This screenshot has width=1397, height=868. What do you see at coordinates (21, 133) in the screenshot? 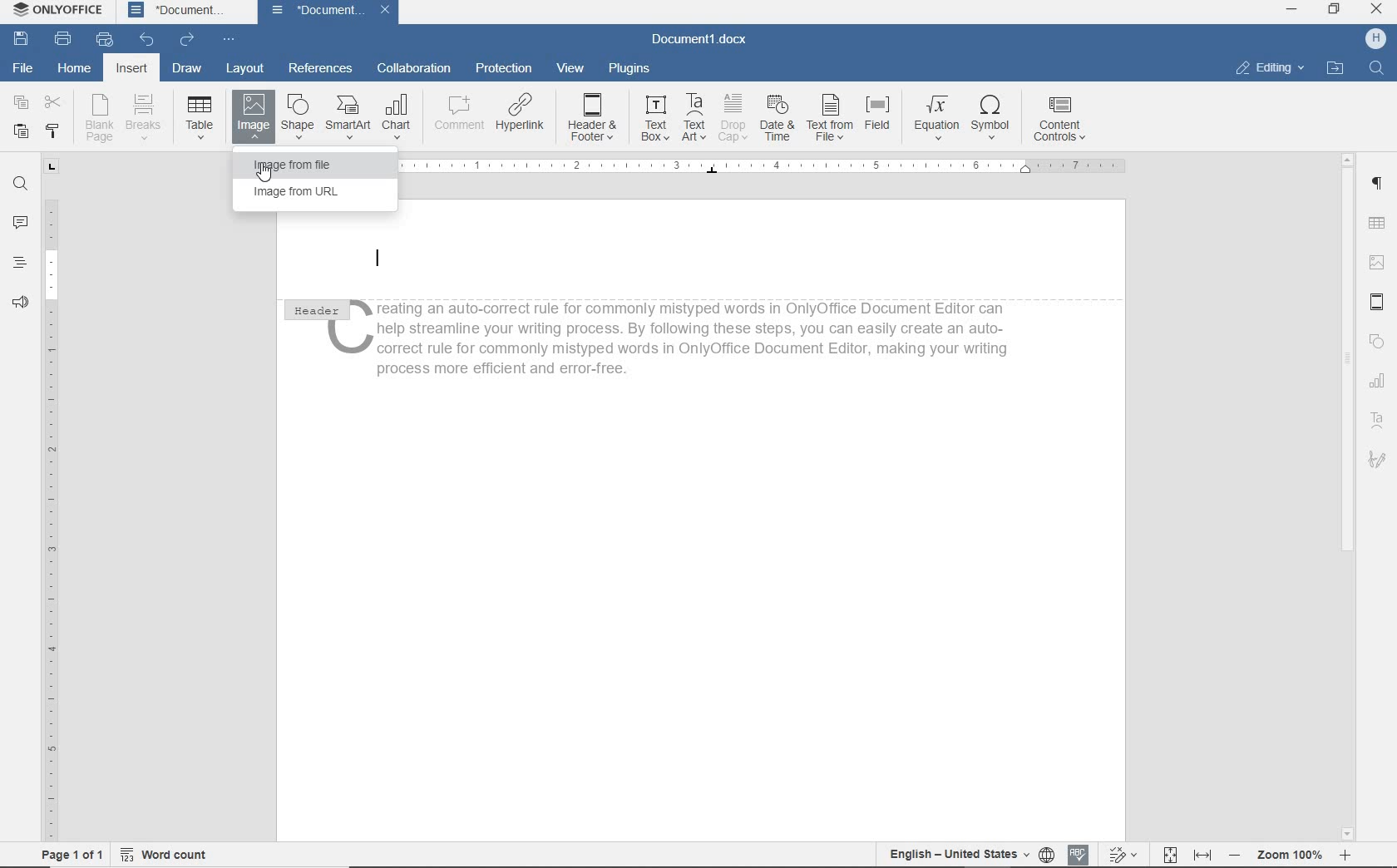
I see `PASTE` at bounding box center [21, 133].